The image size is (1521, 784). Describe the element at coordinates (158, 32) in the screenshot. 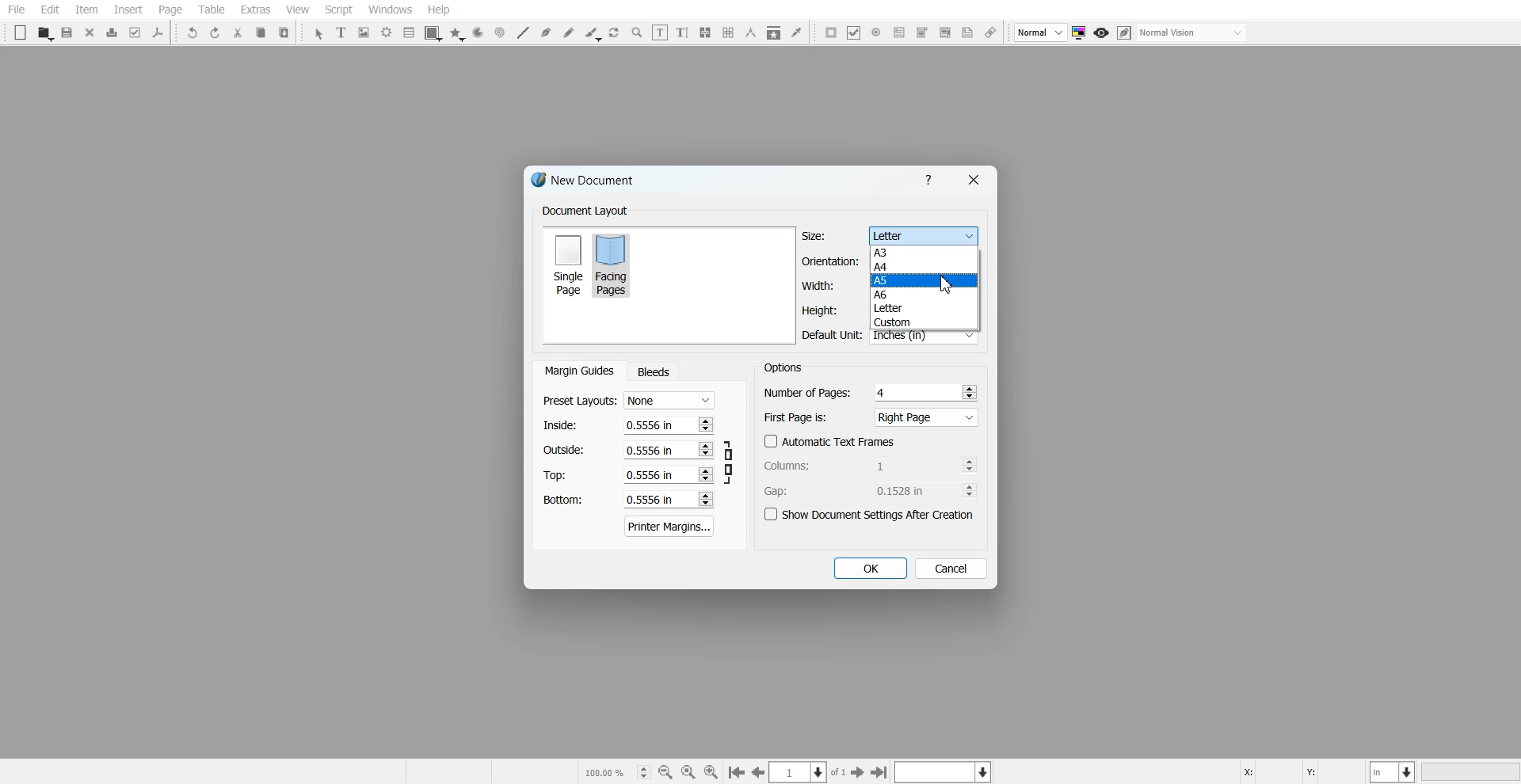

I see `Save as PDF` at that location.